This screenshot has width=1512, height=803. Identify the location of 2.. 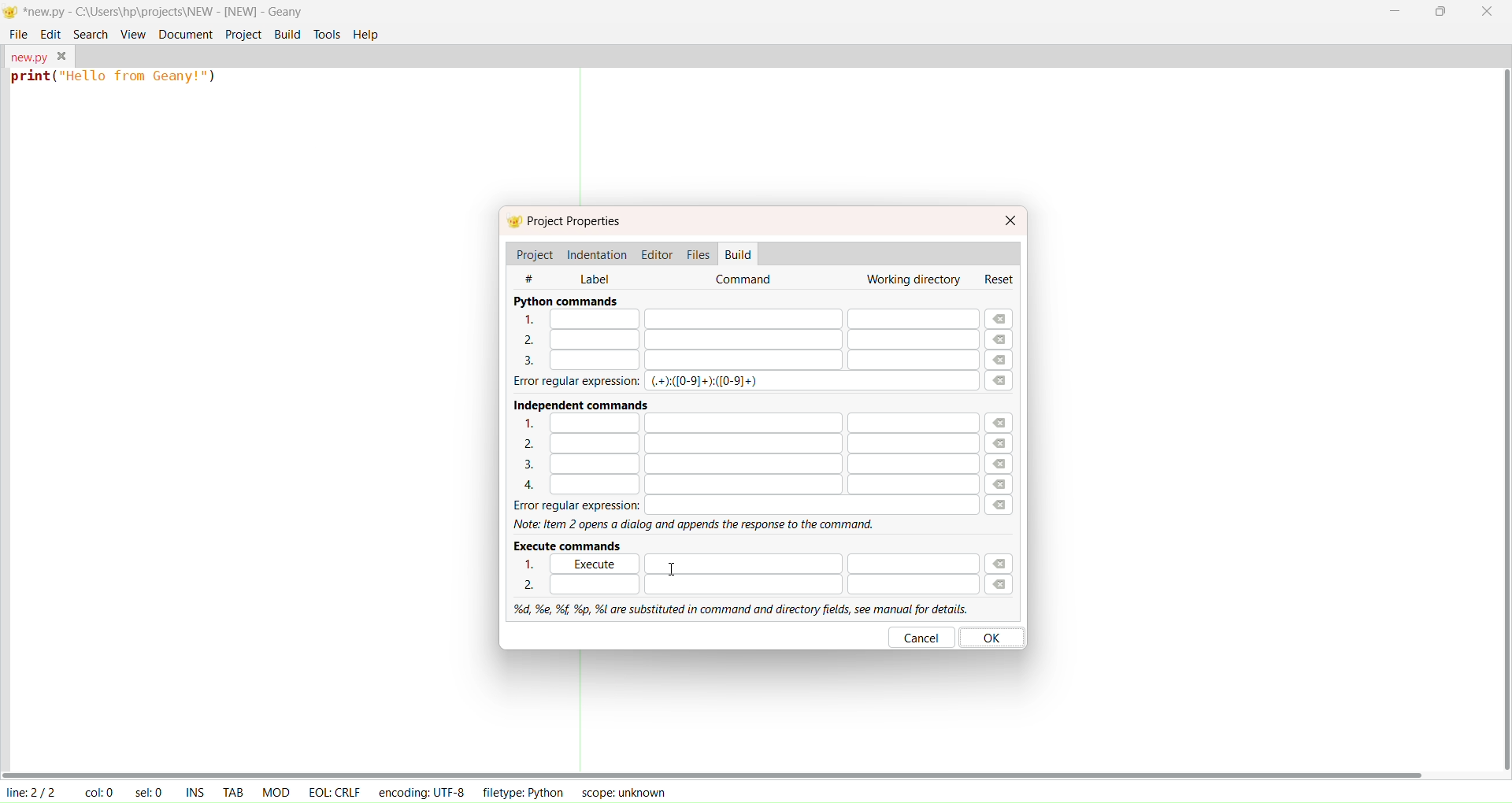
(736, 339).